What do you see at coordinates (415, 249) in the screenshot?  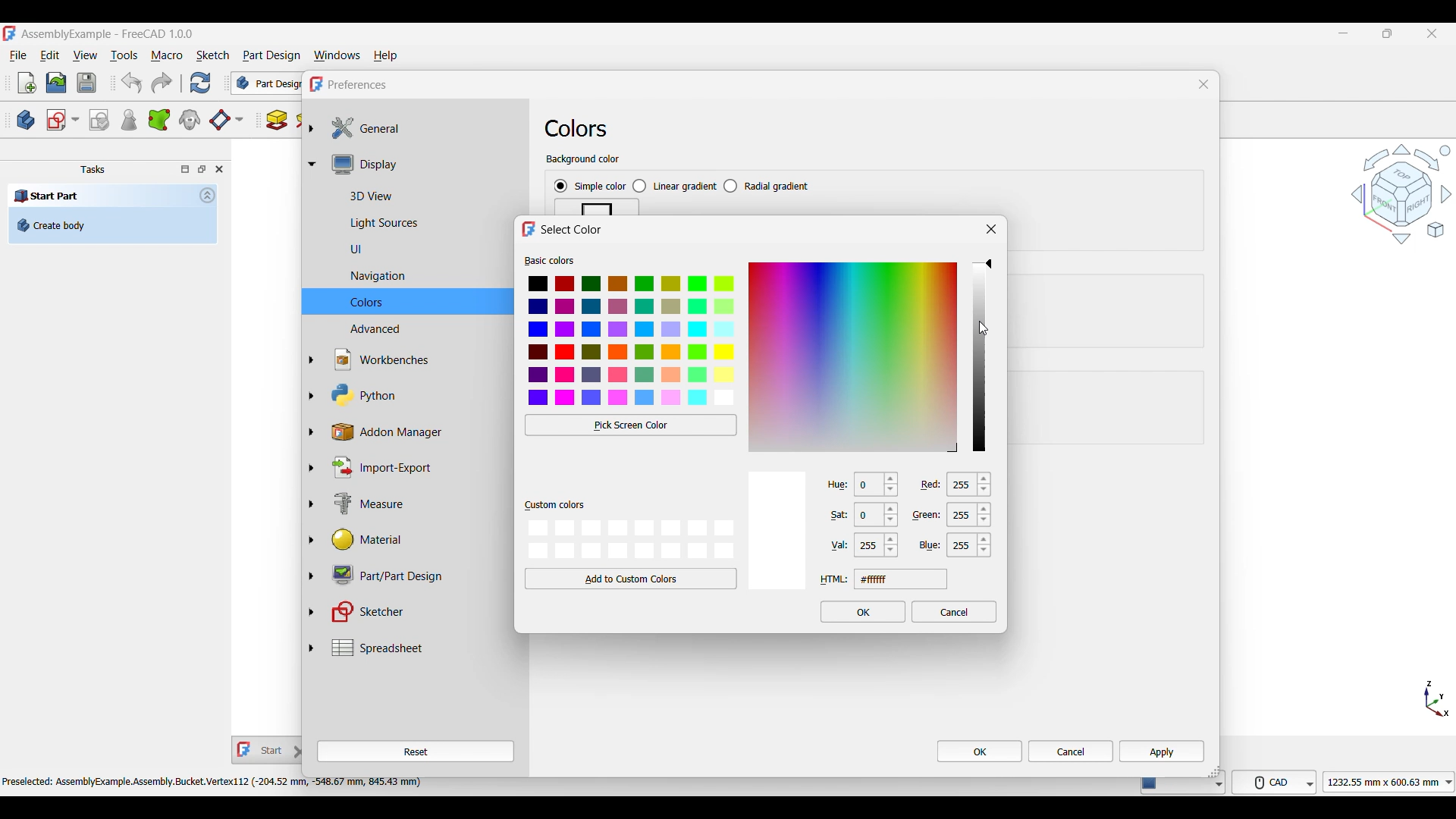 I see `UI` at bounding box center [415, 249].